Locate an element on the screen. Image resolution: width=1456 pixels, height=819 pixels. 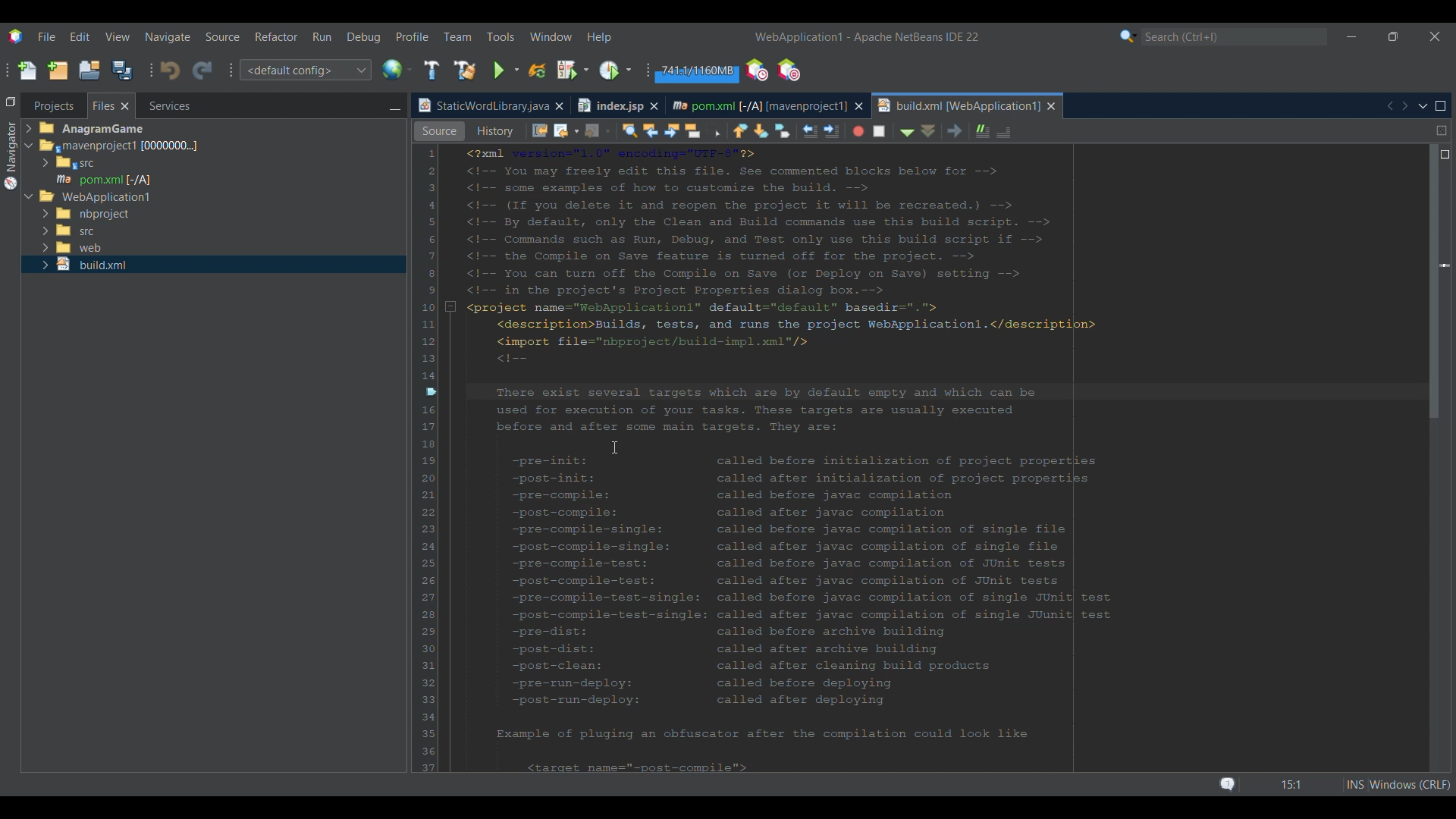
New tab highlighted as current tab is located at coordinates (958, 105).